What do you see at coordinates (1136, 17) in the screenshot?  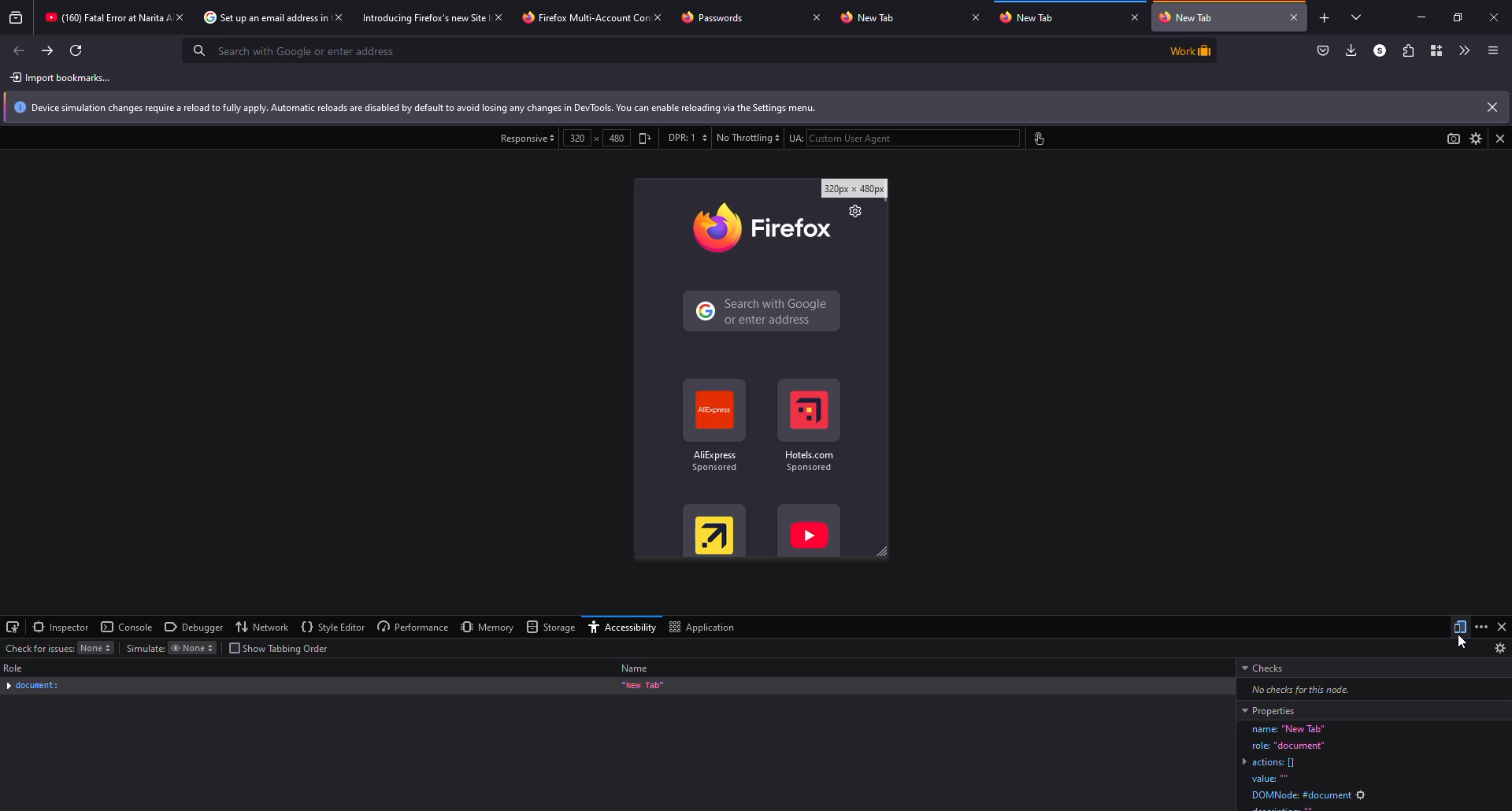 I see `close` at bounding box center [1136, 17].